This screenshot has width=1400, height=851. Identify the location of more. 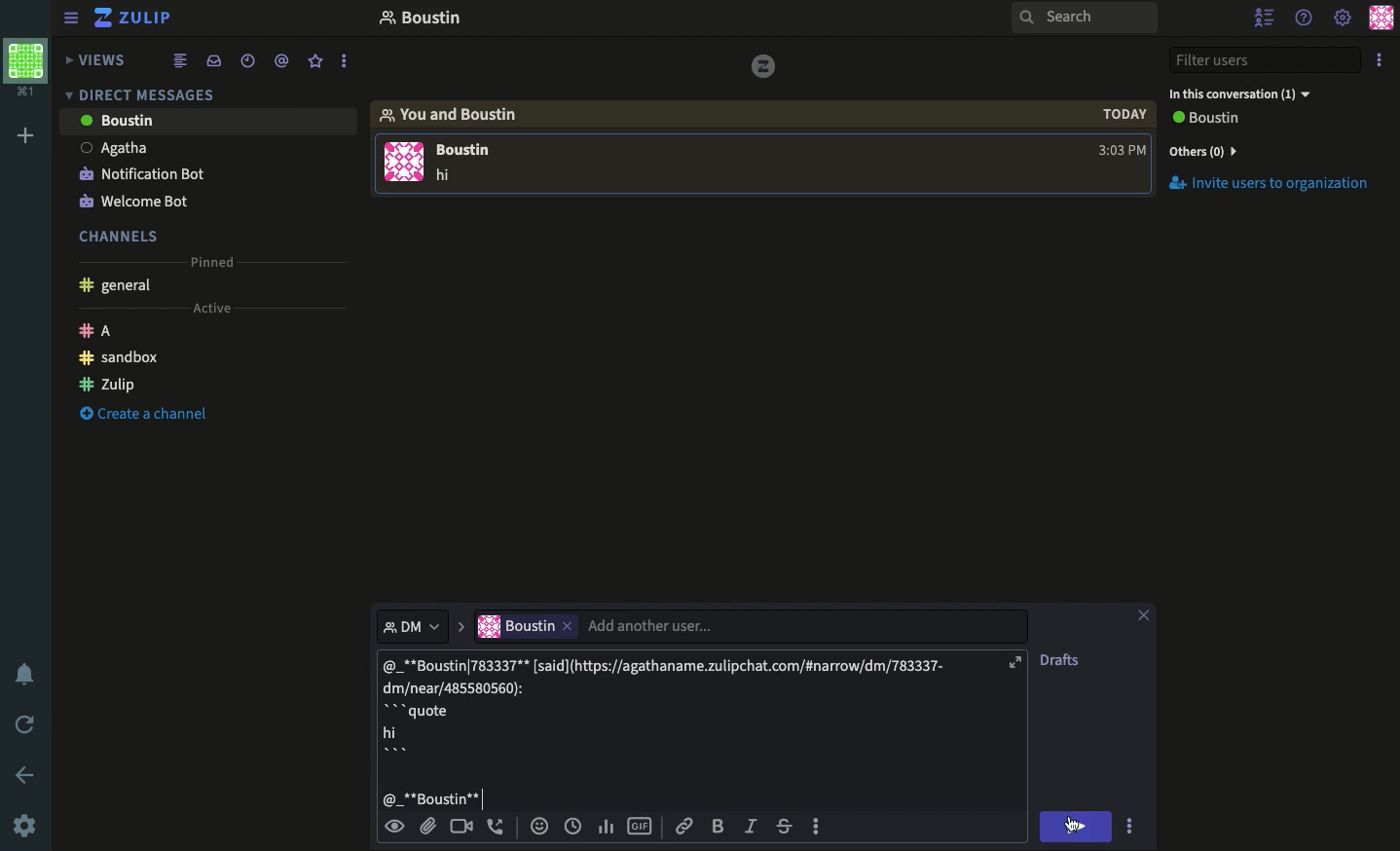
(346, 62).